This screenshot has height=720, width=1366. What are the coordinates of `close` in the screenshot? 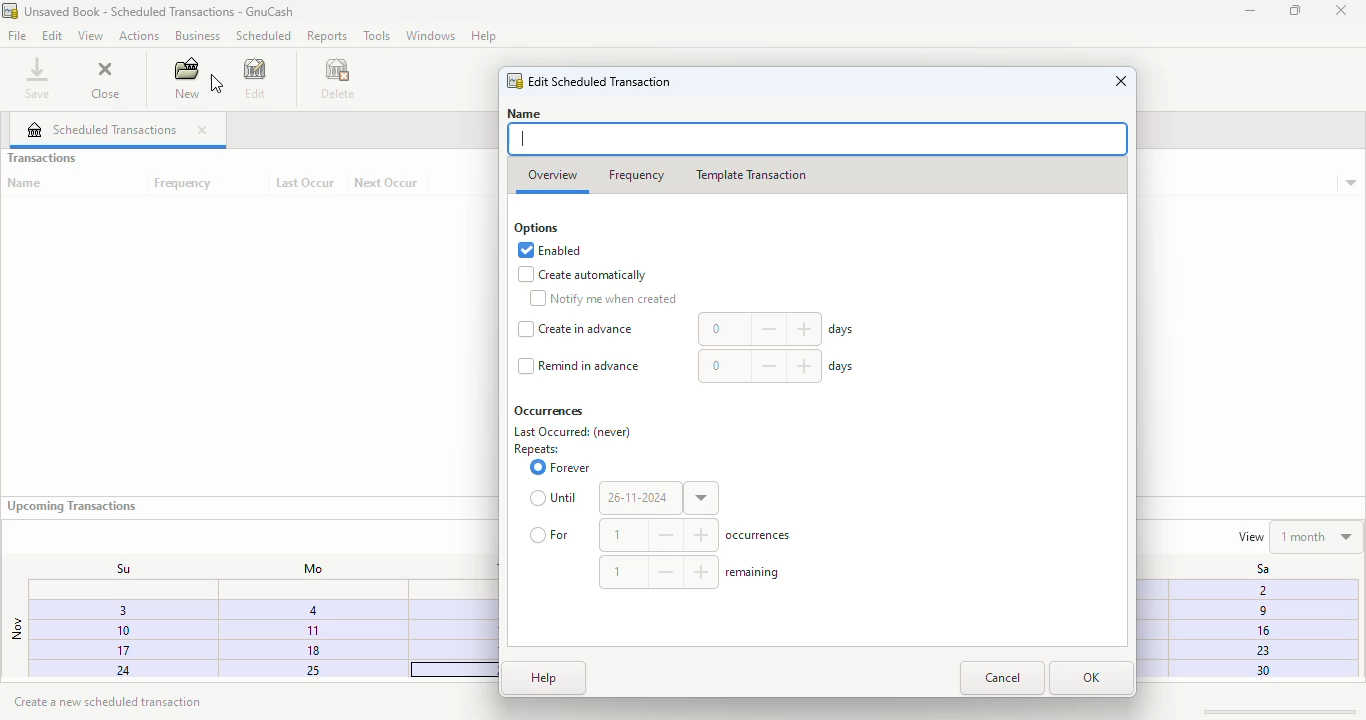 It's located at (105, 77).